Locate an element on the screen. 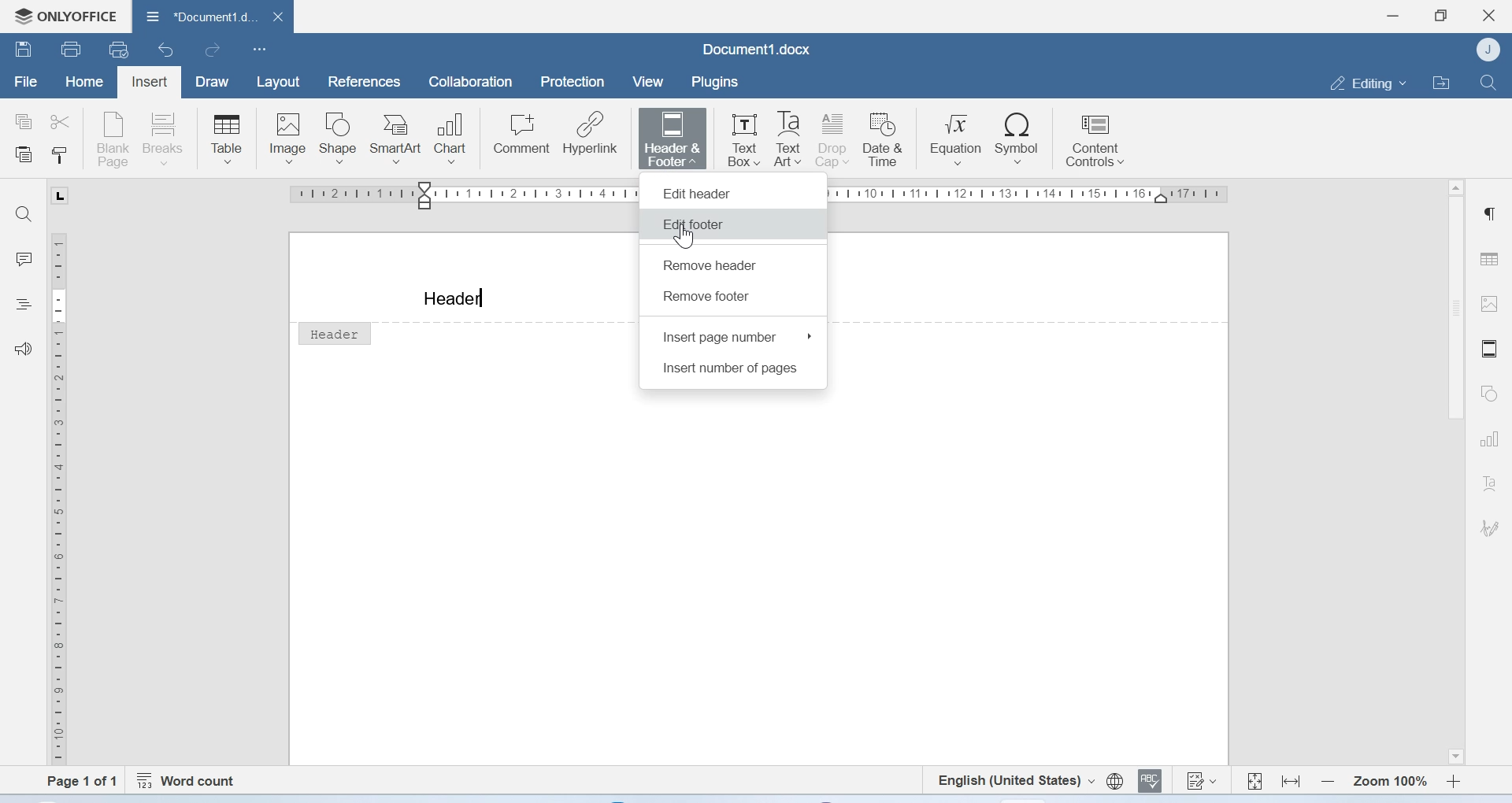 This screenshot has width=1512, height=803. Comment is located at coordinates (522, 135).